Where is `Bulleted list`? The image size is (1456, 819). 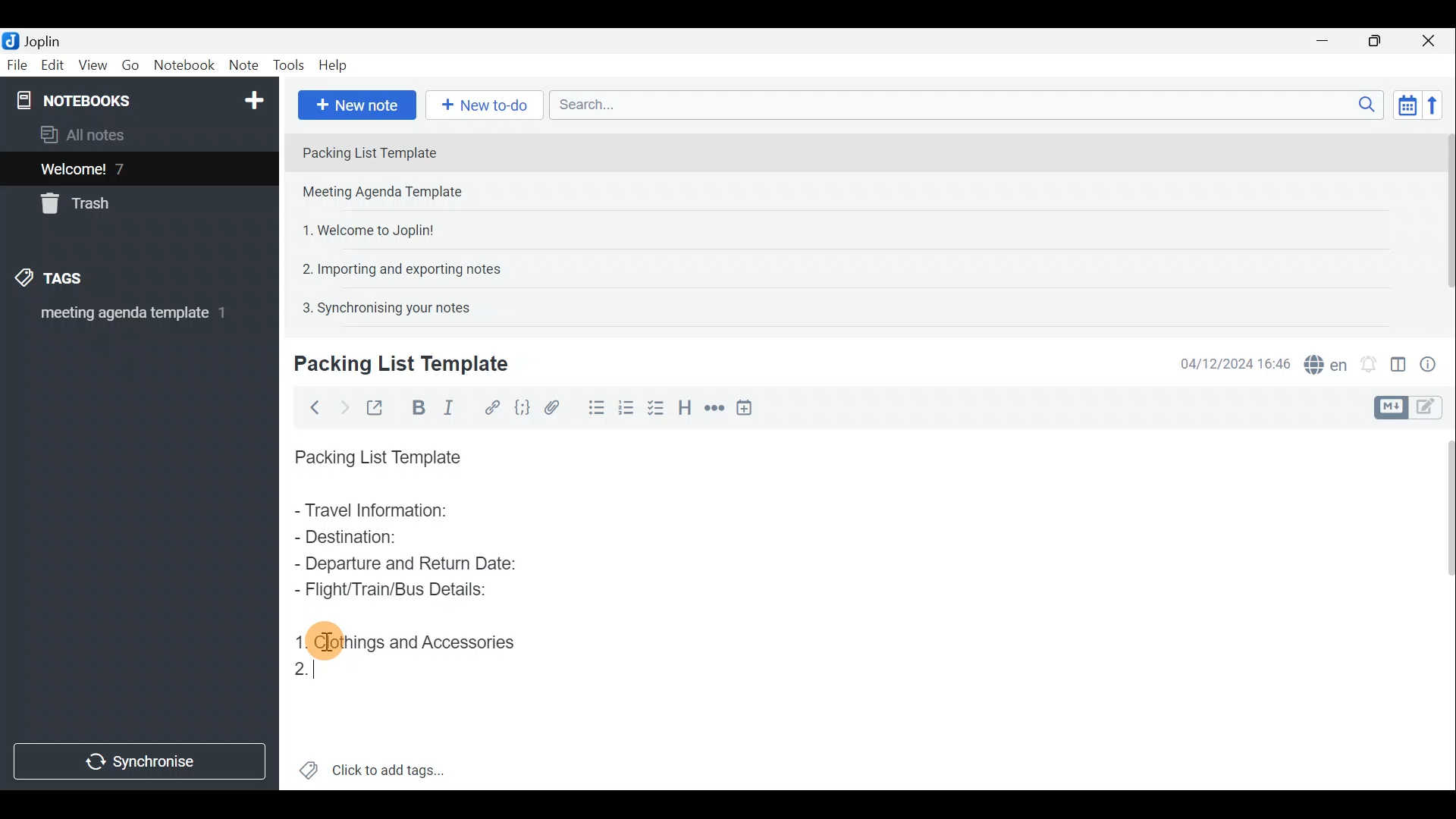 Bulleted list is located at coordinates (591, 410).